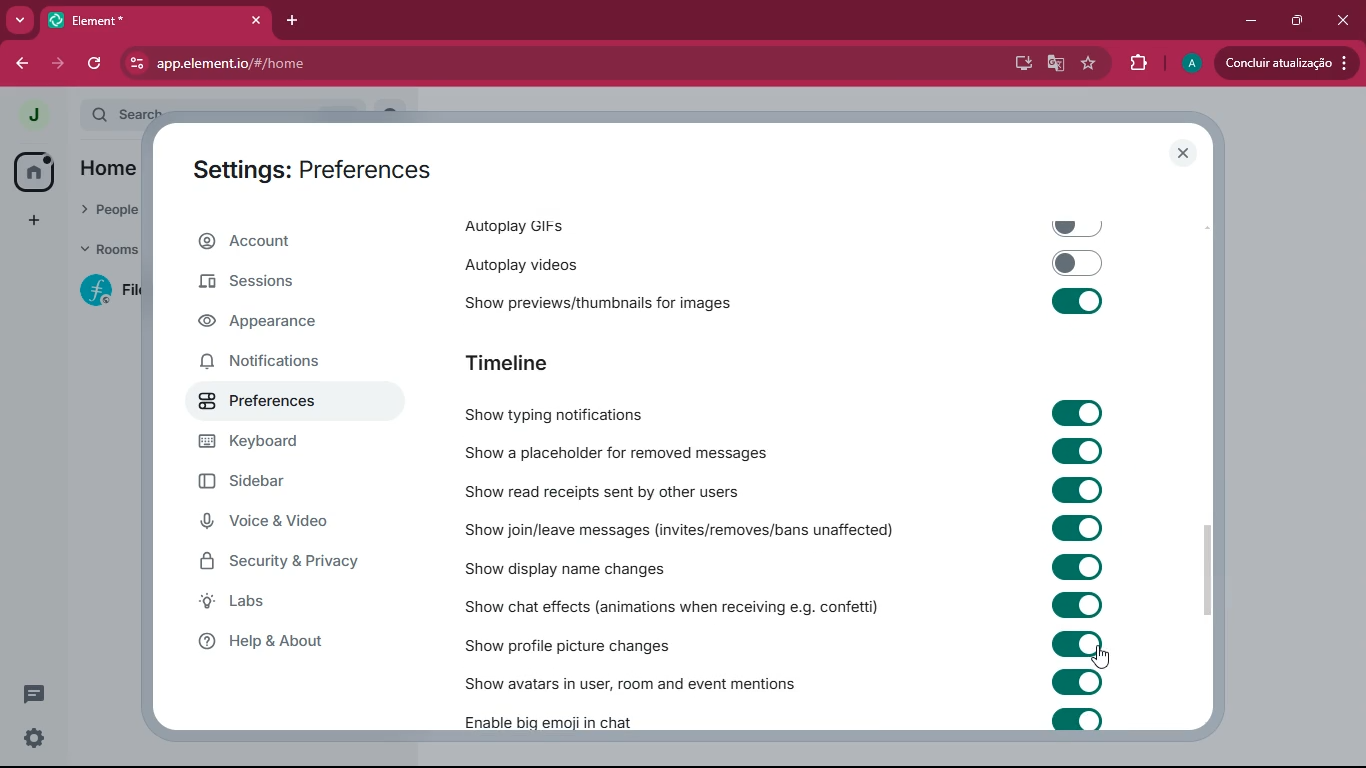 This screenshot has width=1366, height=768. Describe the element at coordinates (1054, 63) in the screenshot. I see `google translate` at that location.